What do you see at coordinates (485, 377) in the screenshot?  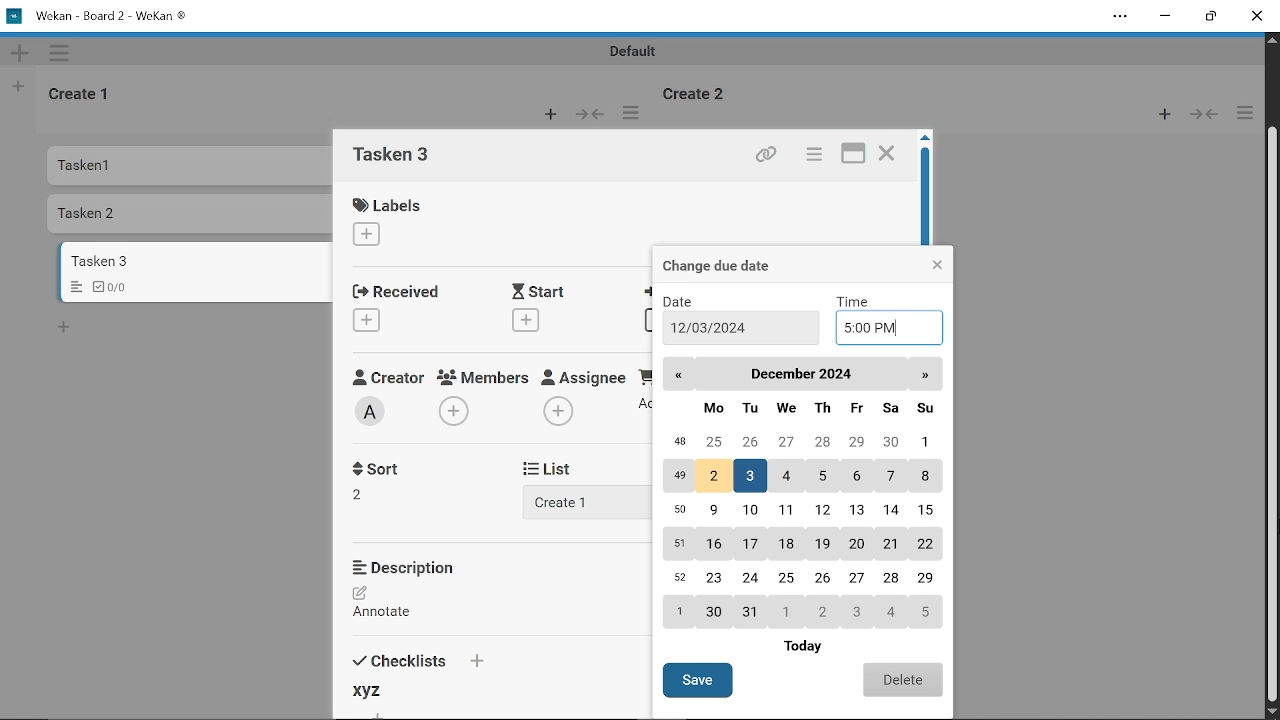 I see `Memebers` at bounding box center [485, 377].